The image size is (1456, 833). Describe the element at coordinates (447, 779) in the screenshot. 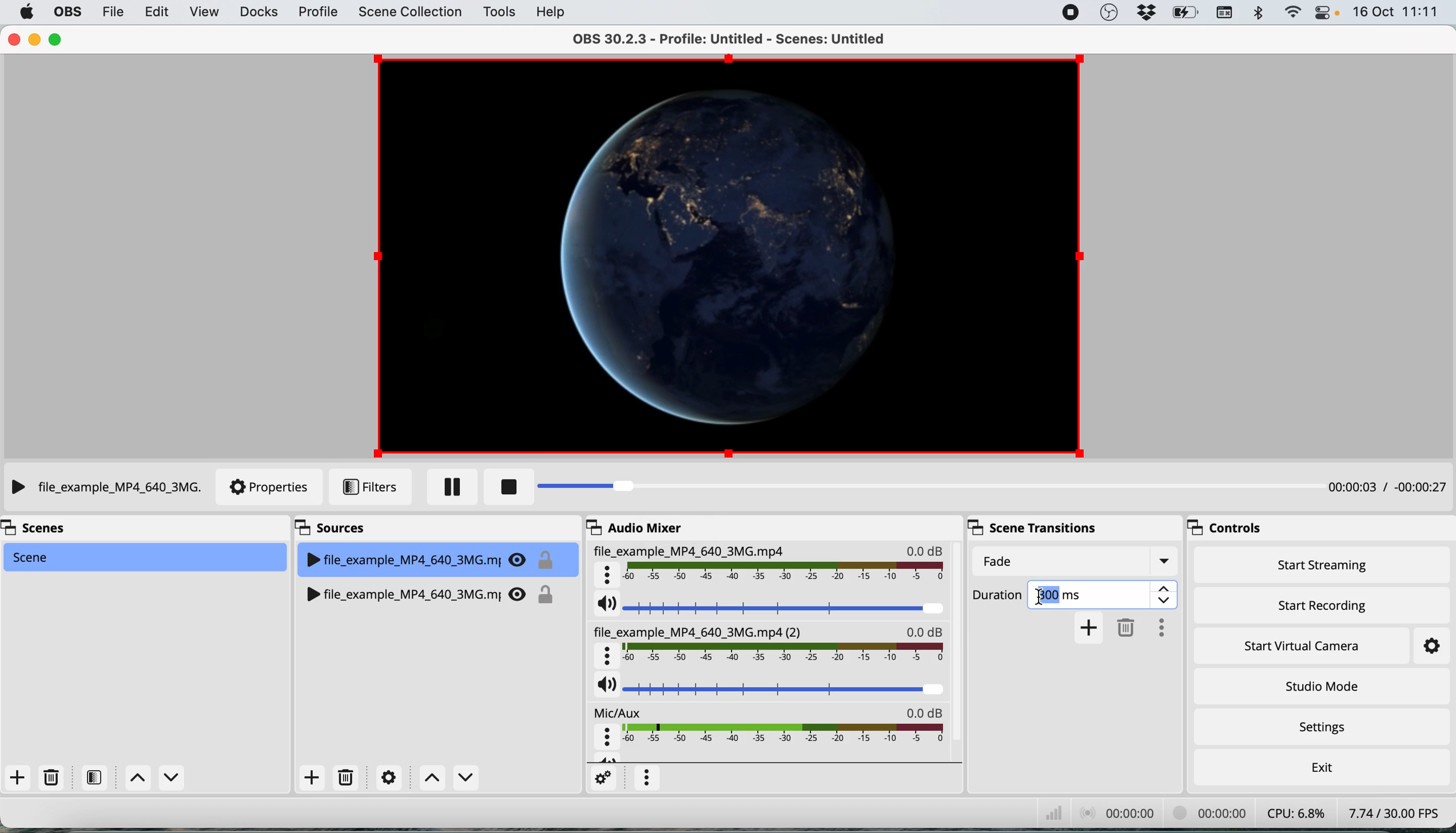

I see `switch between sources` at that location.